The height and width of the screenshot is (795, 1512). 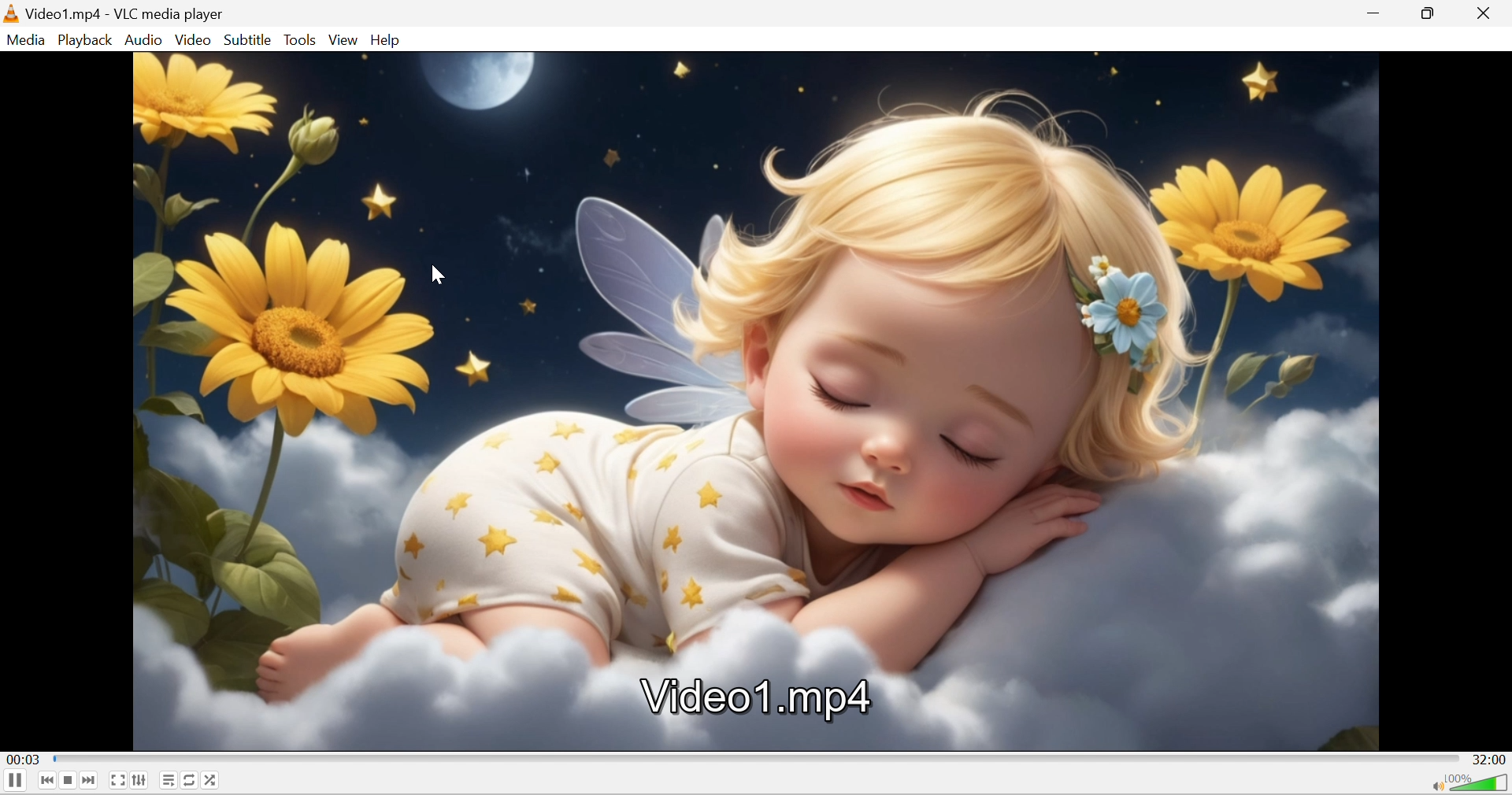 I want to click on Random, so click(x=212, y=779).